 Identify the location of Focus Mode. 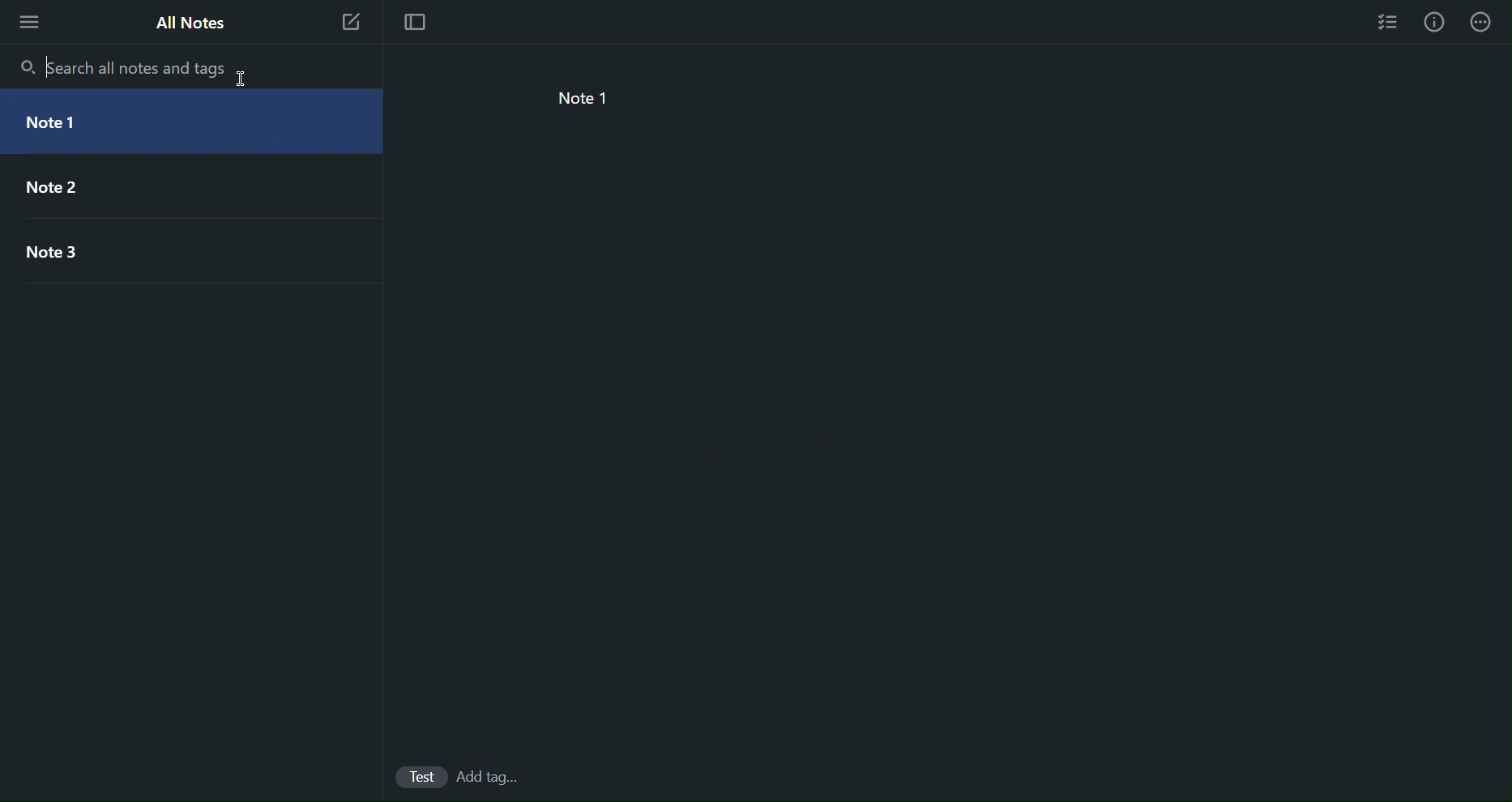
(414, 23).